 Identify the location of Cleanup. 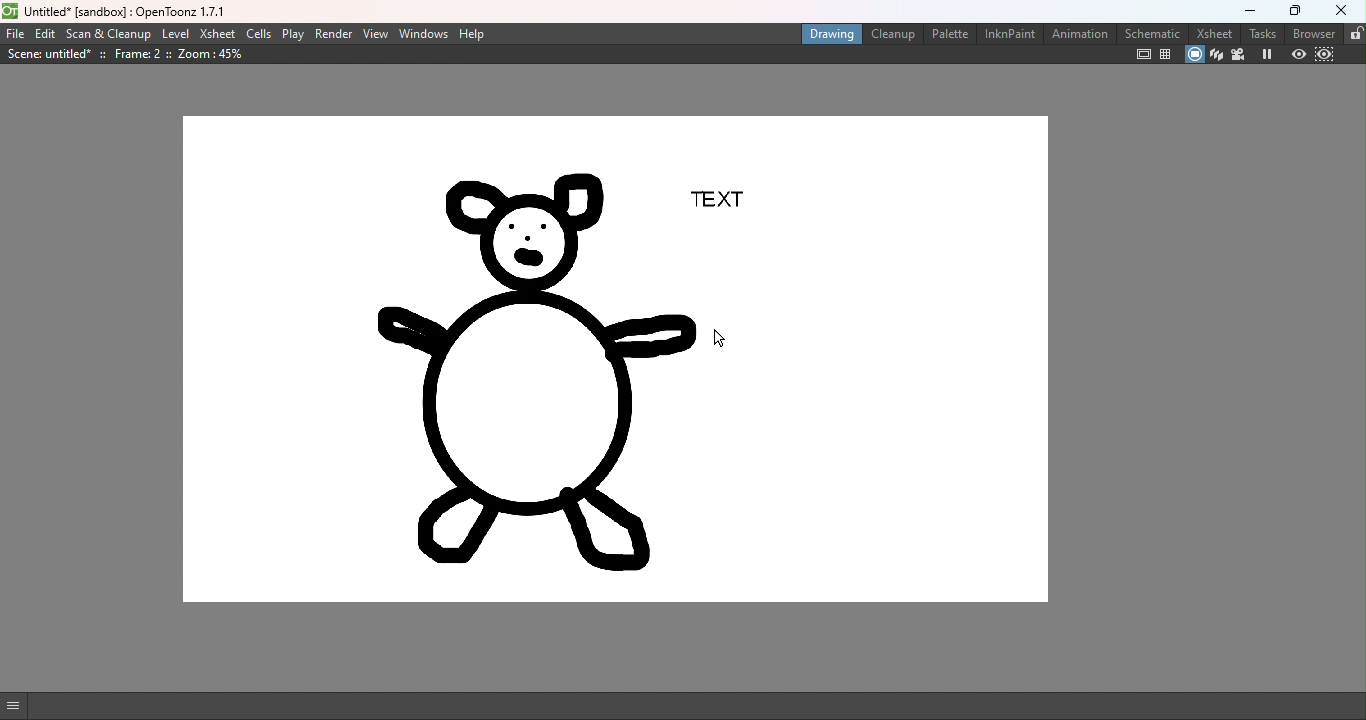
(895, 34).